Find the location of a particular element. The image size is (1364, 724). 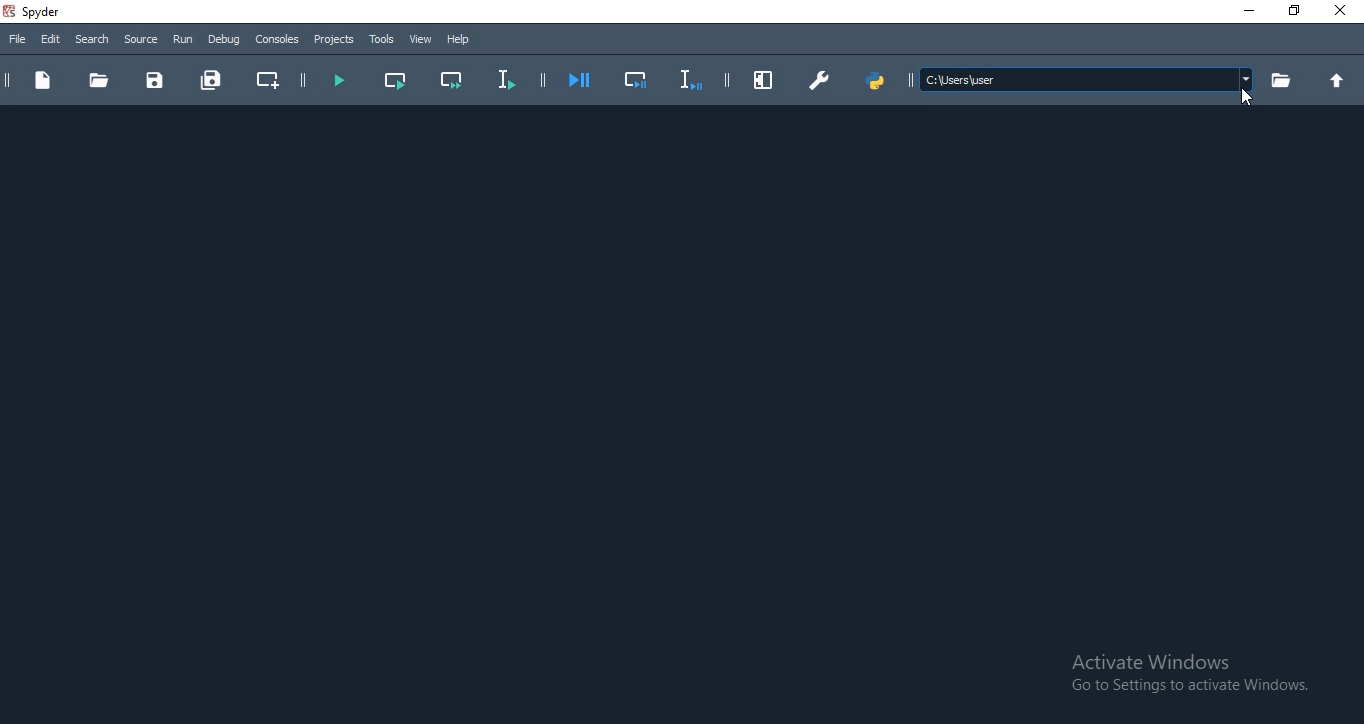

View is located at coordinates (422, 39).